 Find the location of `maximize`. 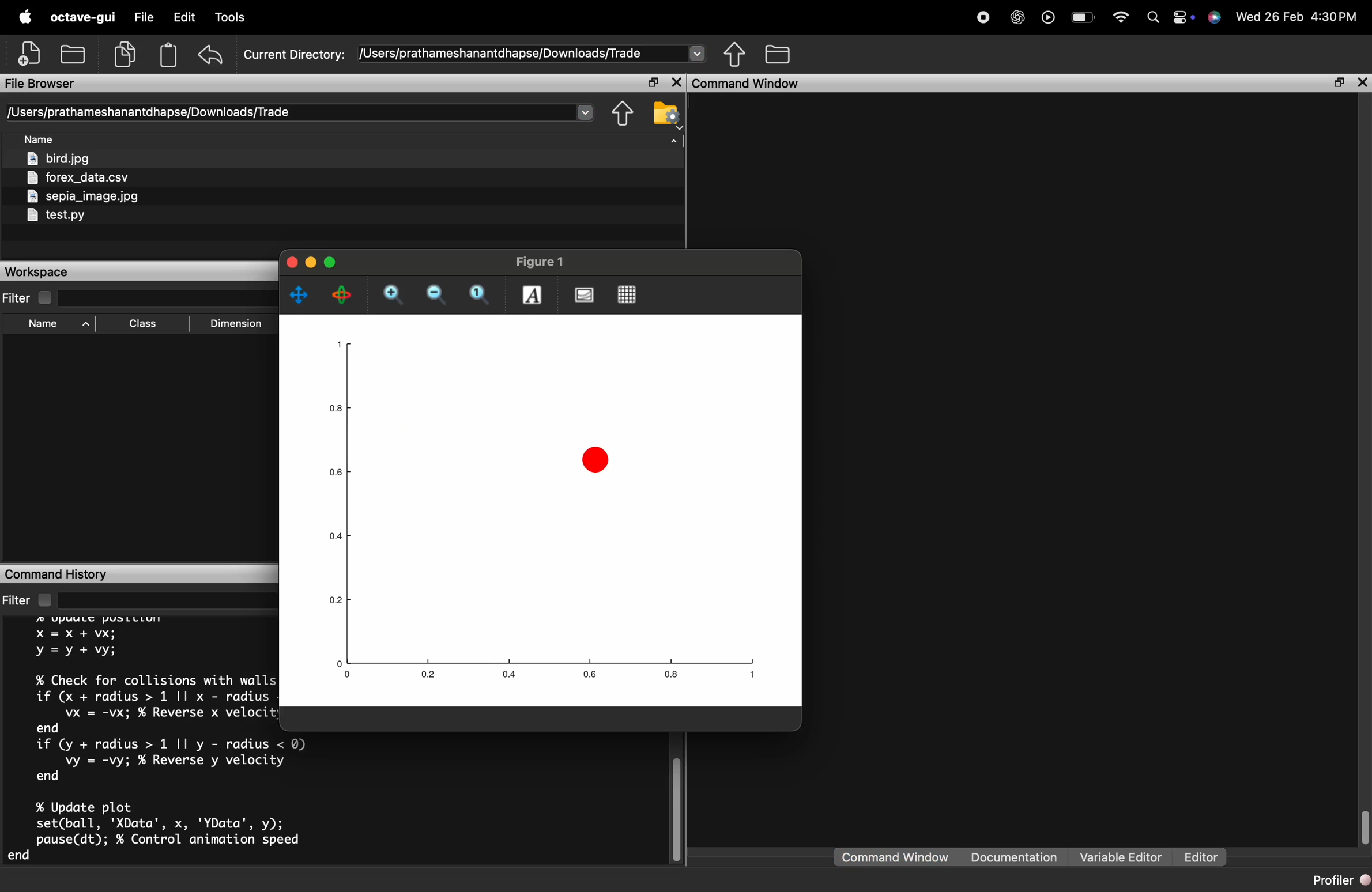

maximize is located at coordinates (330, 262).